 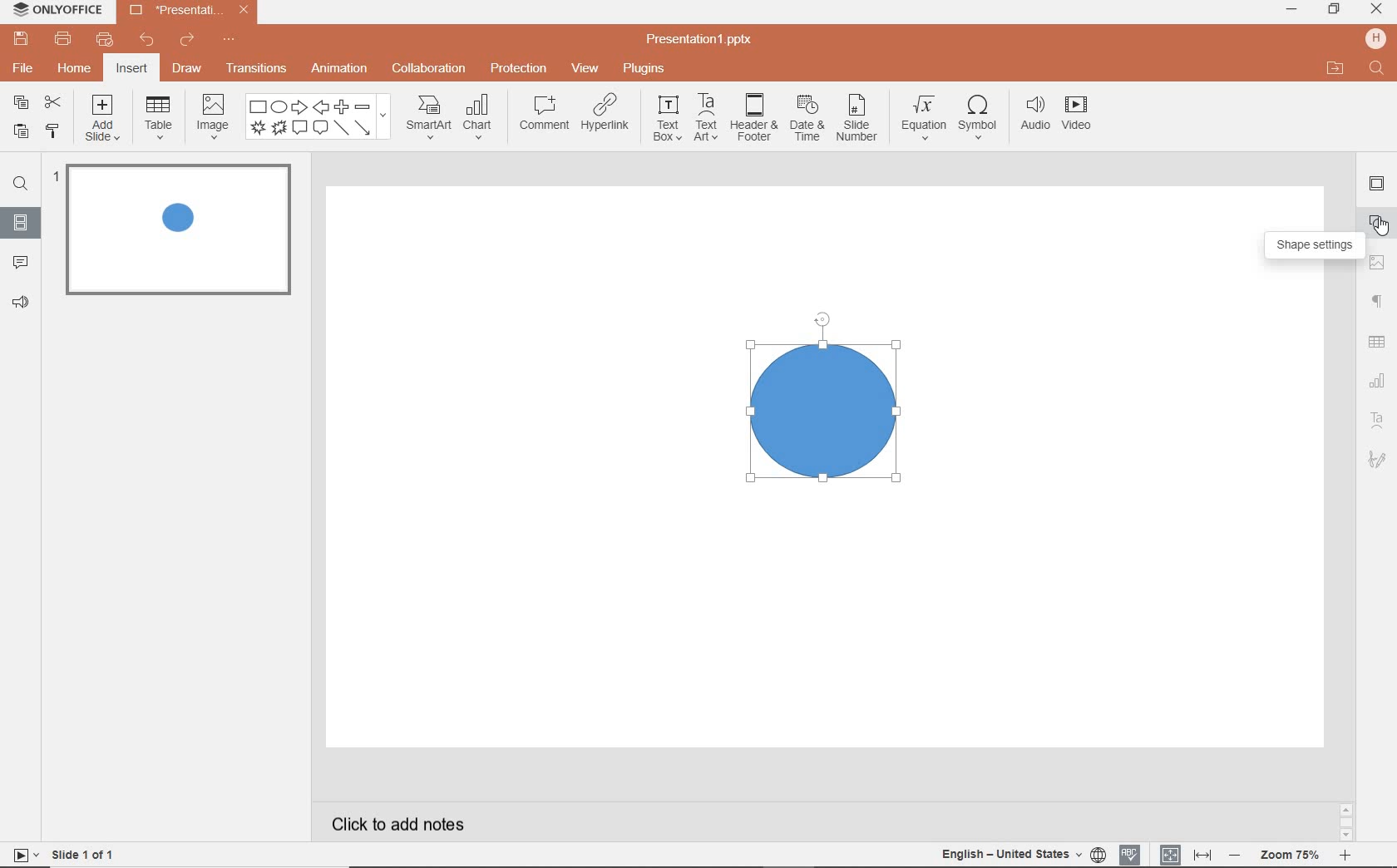 I want to click on chart, so click(x=479, y=118).